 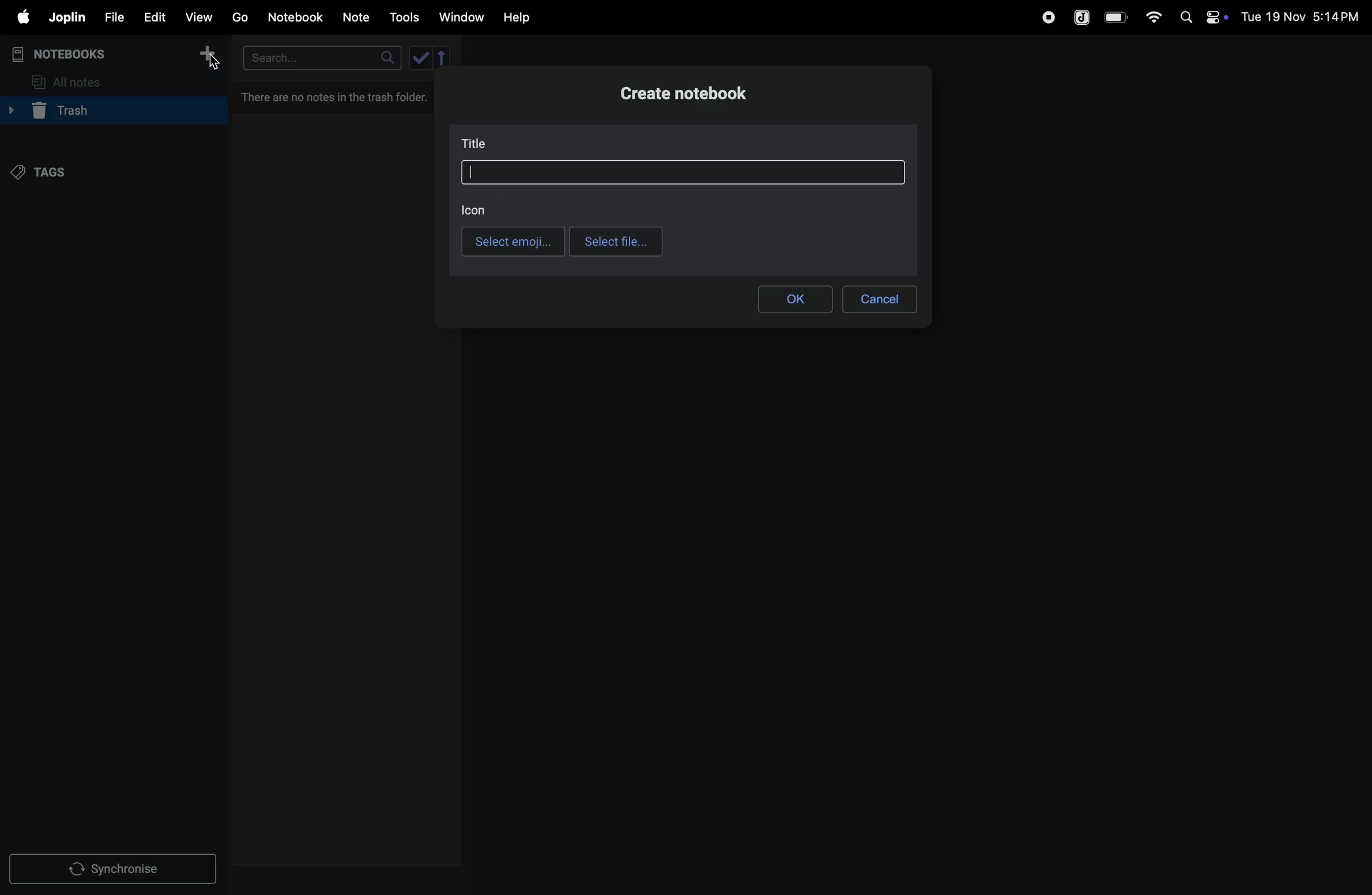 I want to click on help, so click(x=525, y=18).